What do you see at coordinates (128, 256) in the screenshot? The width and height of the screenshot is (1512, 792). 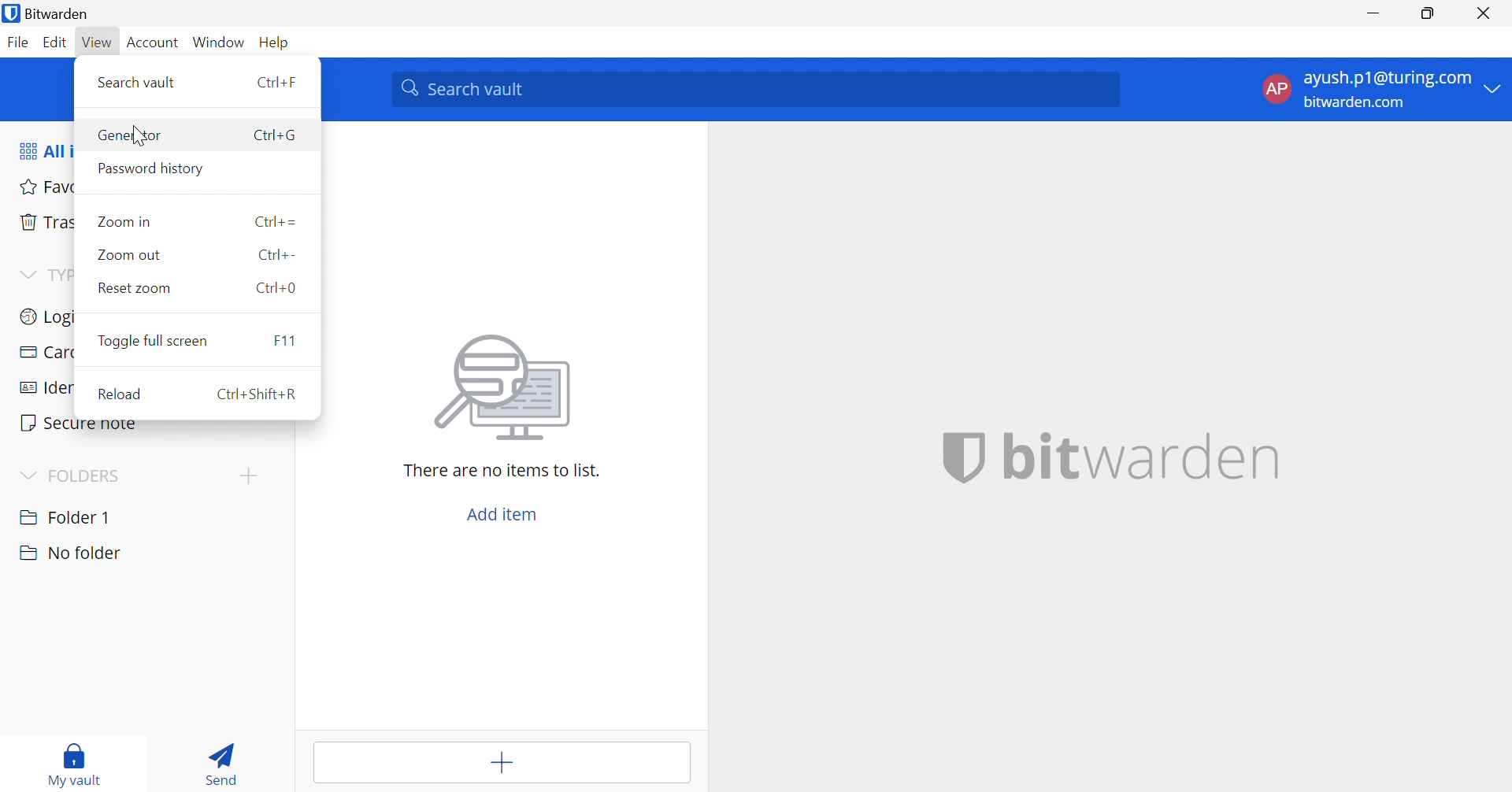 I see `Zoom out` at bounding box center [128, 256].